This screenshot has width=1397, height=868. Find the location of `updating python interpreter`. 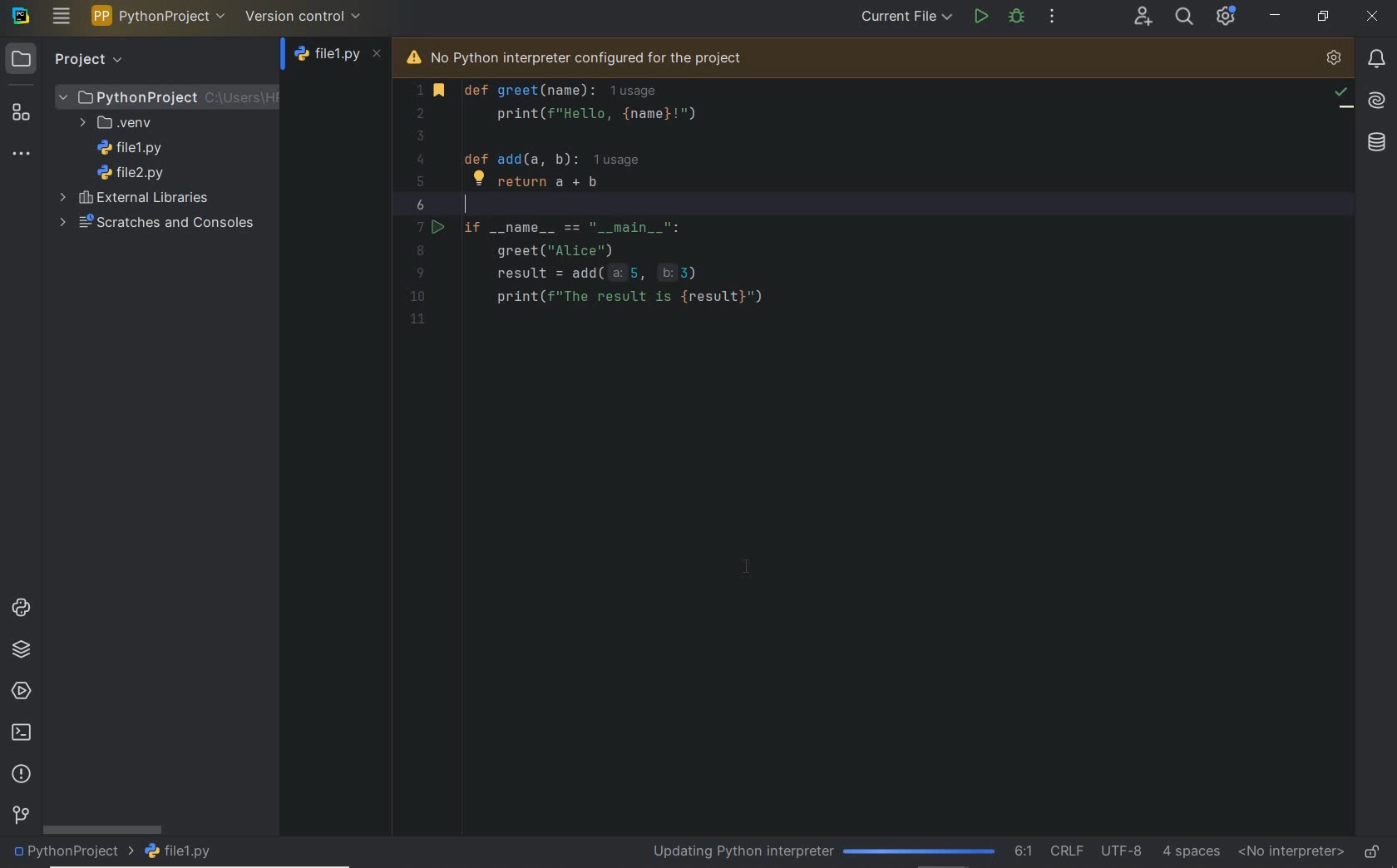

updating python interpreter is located at coordinates (819, 850).